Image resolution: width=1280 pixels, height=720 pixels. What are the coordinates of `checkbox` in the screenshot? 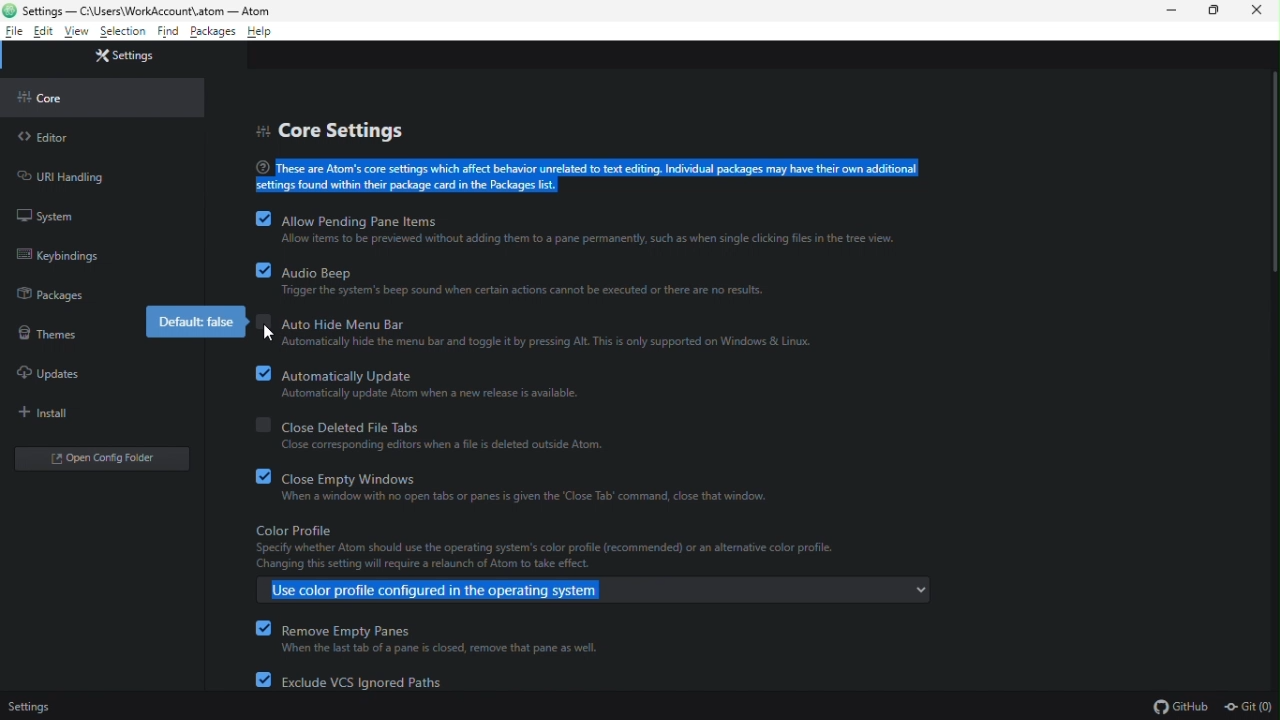 It's located at (254, 681).